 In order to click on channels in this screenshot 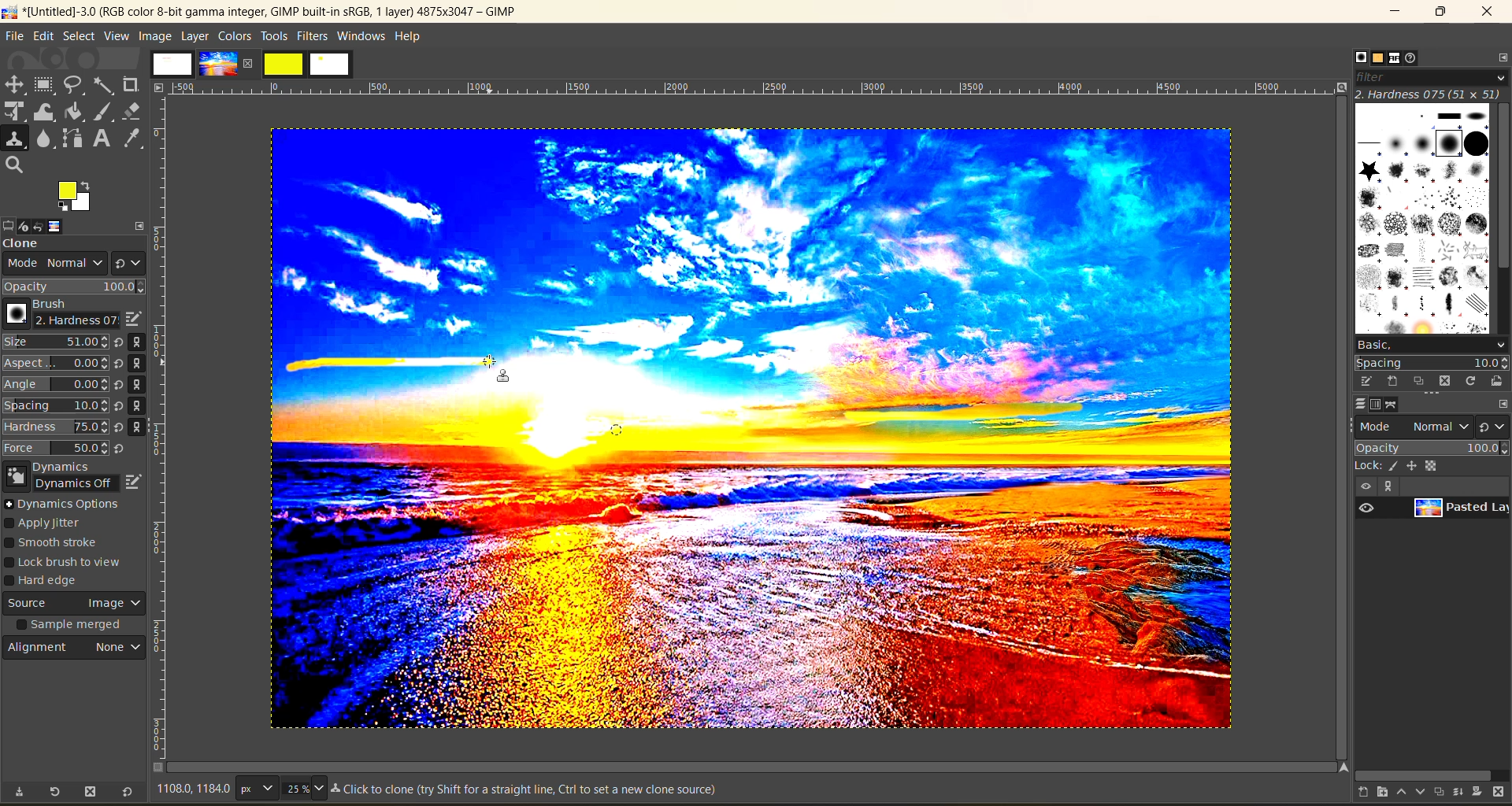, I will do `click(1378, 405)`.